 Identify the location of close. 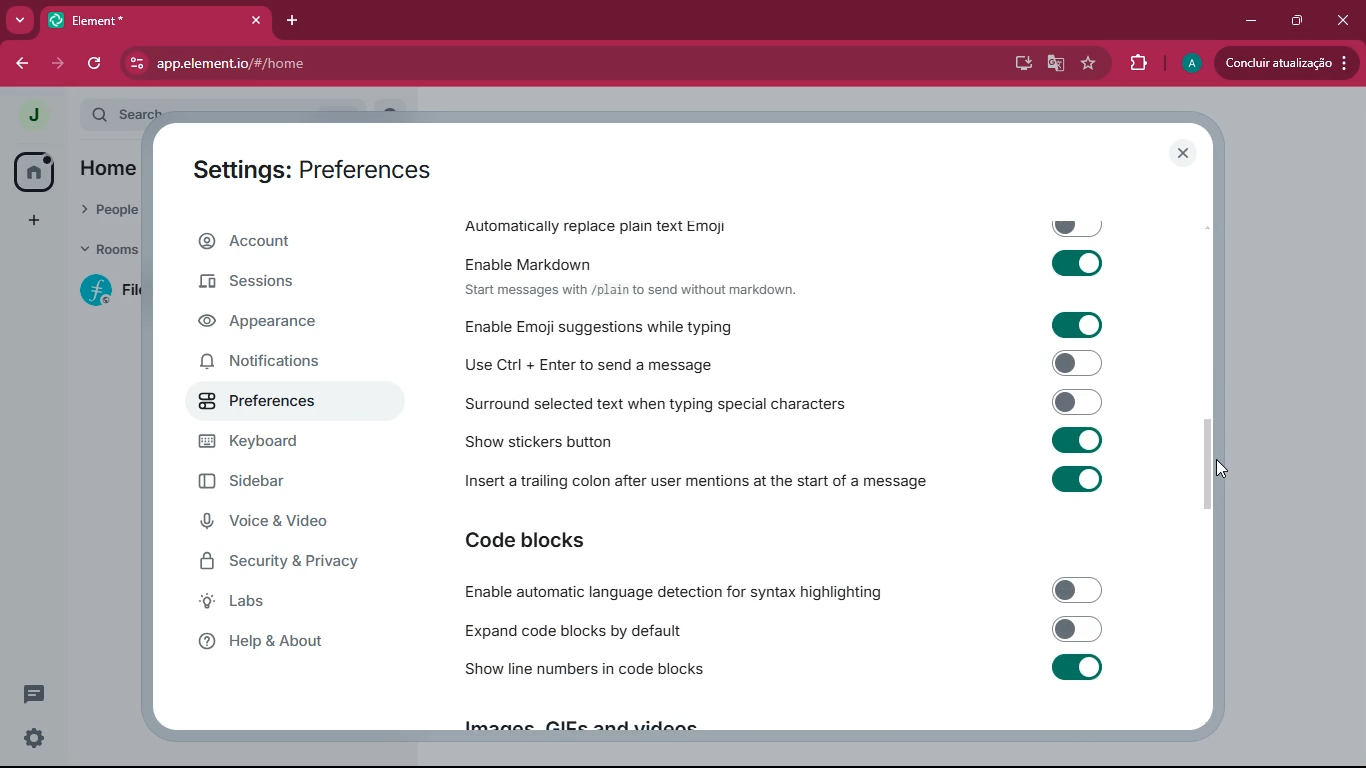
(1185, 153).